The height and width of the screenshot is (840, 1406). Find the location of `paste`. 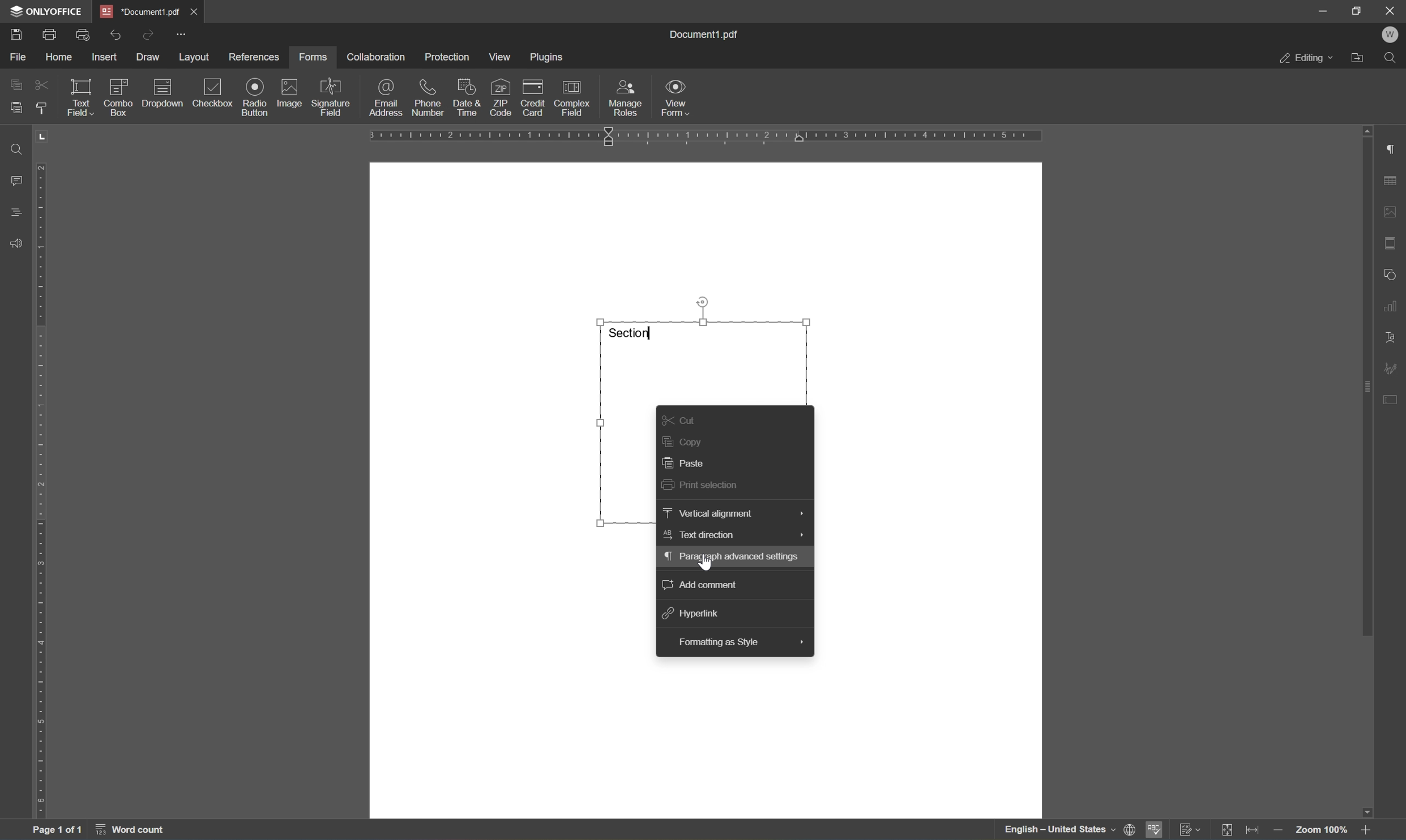

paste is located at coordinates (691, 464).